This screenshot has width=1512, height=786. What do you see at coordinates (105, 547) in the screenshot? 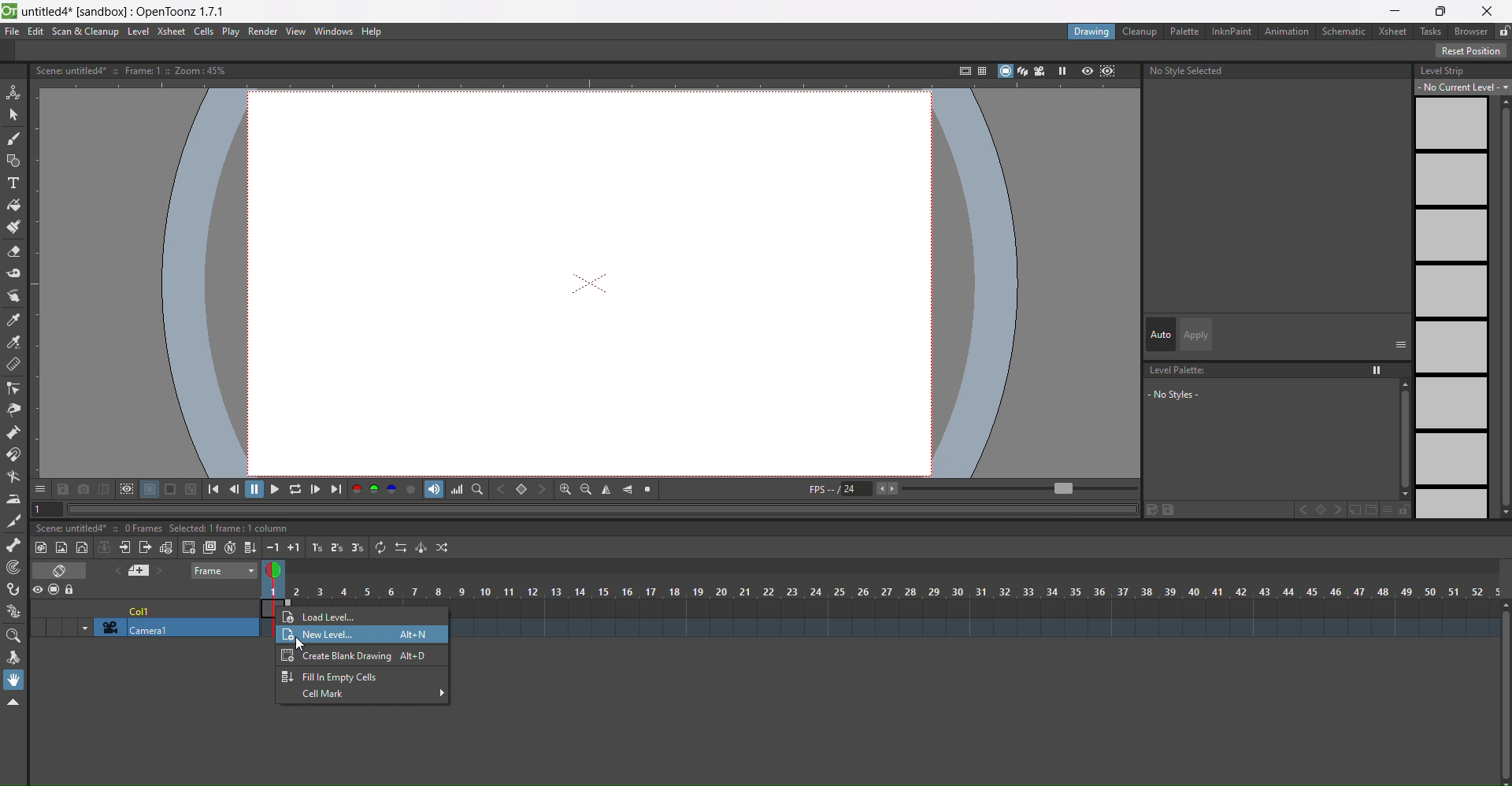
I see `collapse` at bounding box center [105, 547].